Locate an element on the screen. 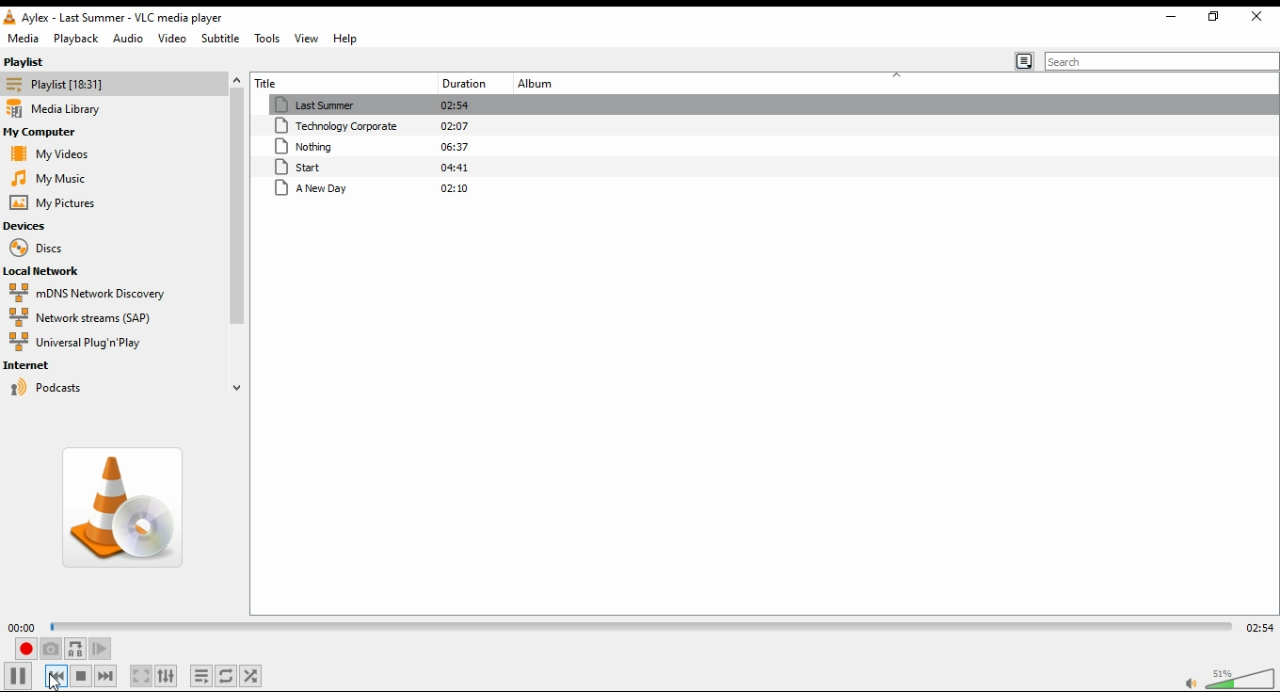  subtitle is located at coordinates (219, 37).